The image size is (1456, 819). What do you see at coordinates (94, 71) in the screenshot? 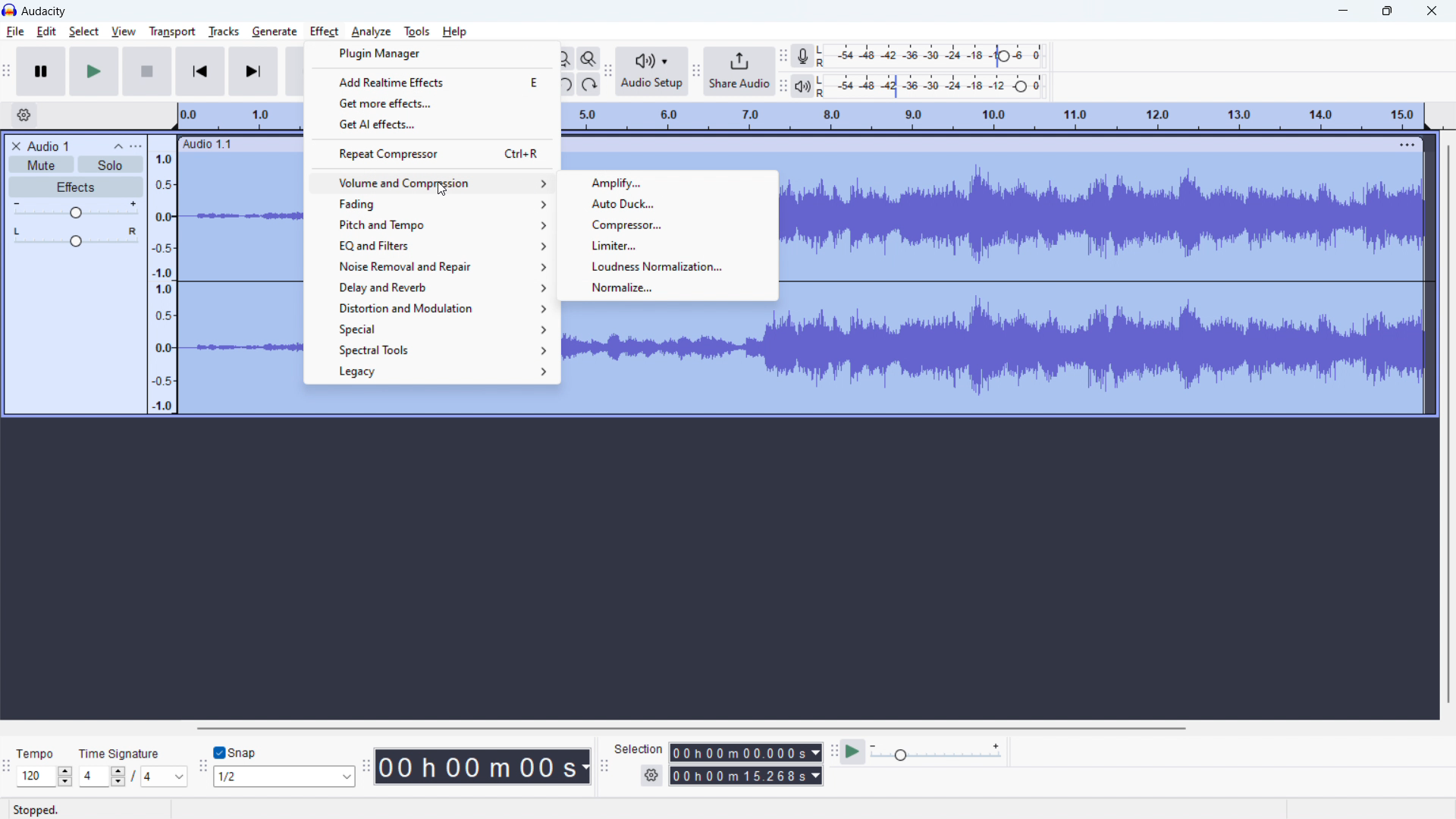
I see `play` at bounding box center [94, 71].